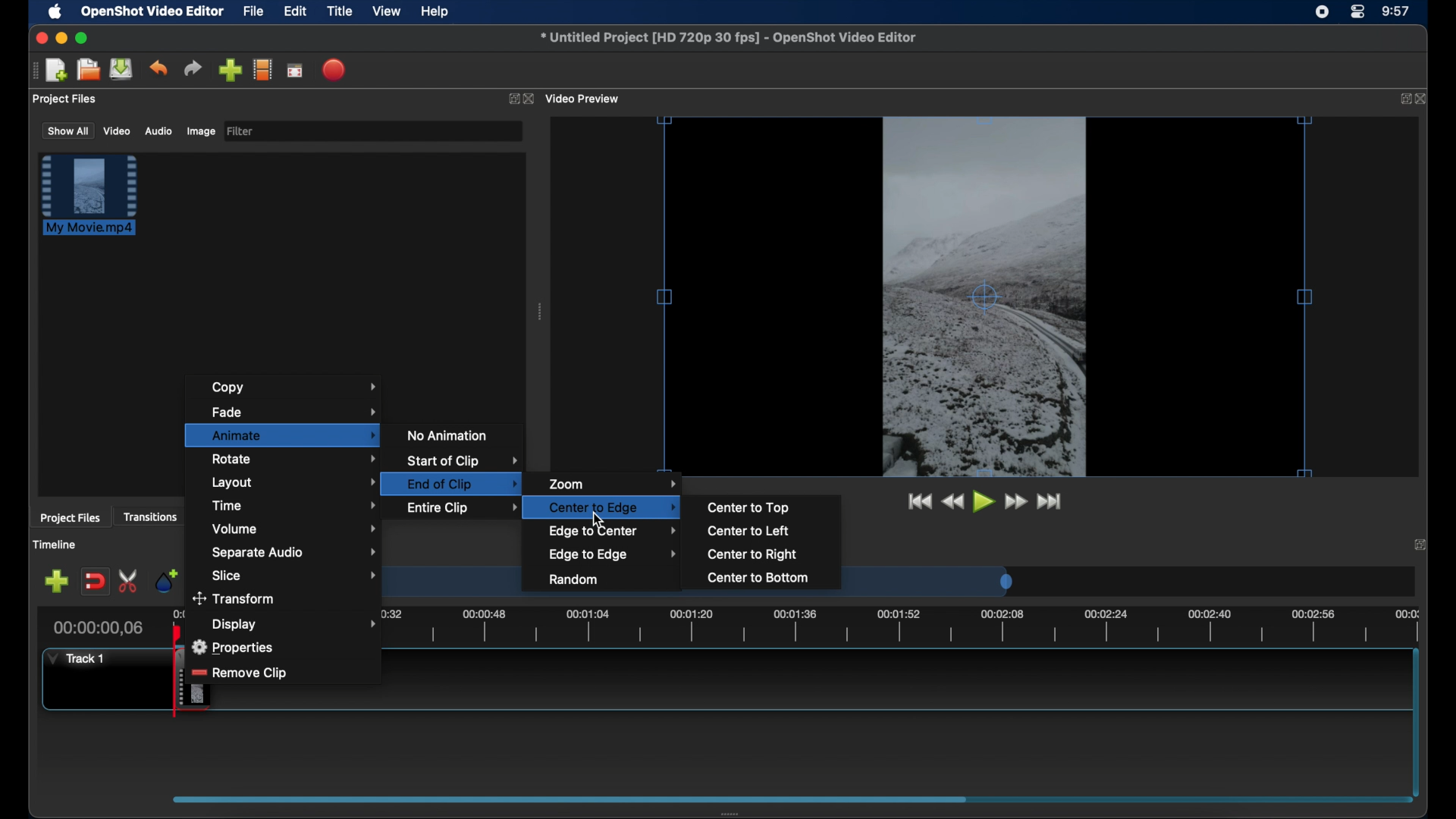 This screenshot has height=819, width=1456. Describe the element at coordinates (457, 507) in the screenshot. I see `entire clip menu` at that location.